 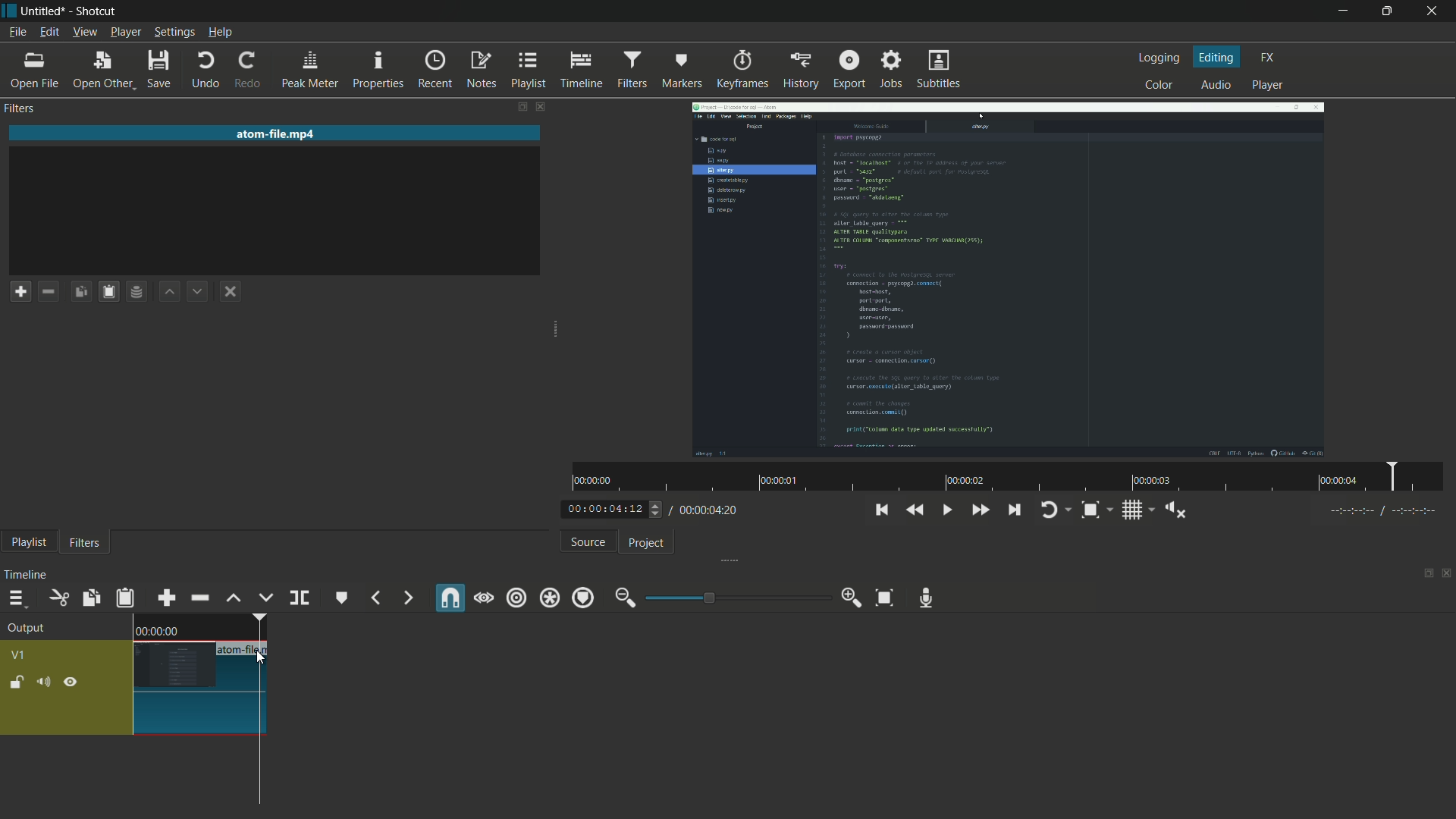 I want to click on skip to the next point, so click(x=1014, y=510).